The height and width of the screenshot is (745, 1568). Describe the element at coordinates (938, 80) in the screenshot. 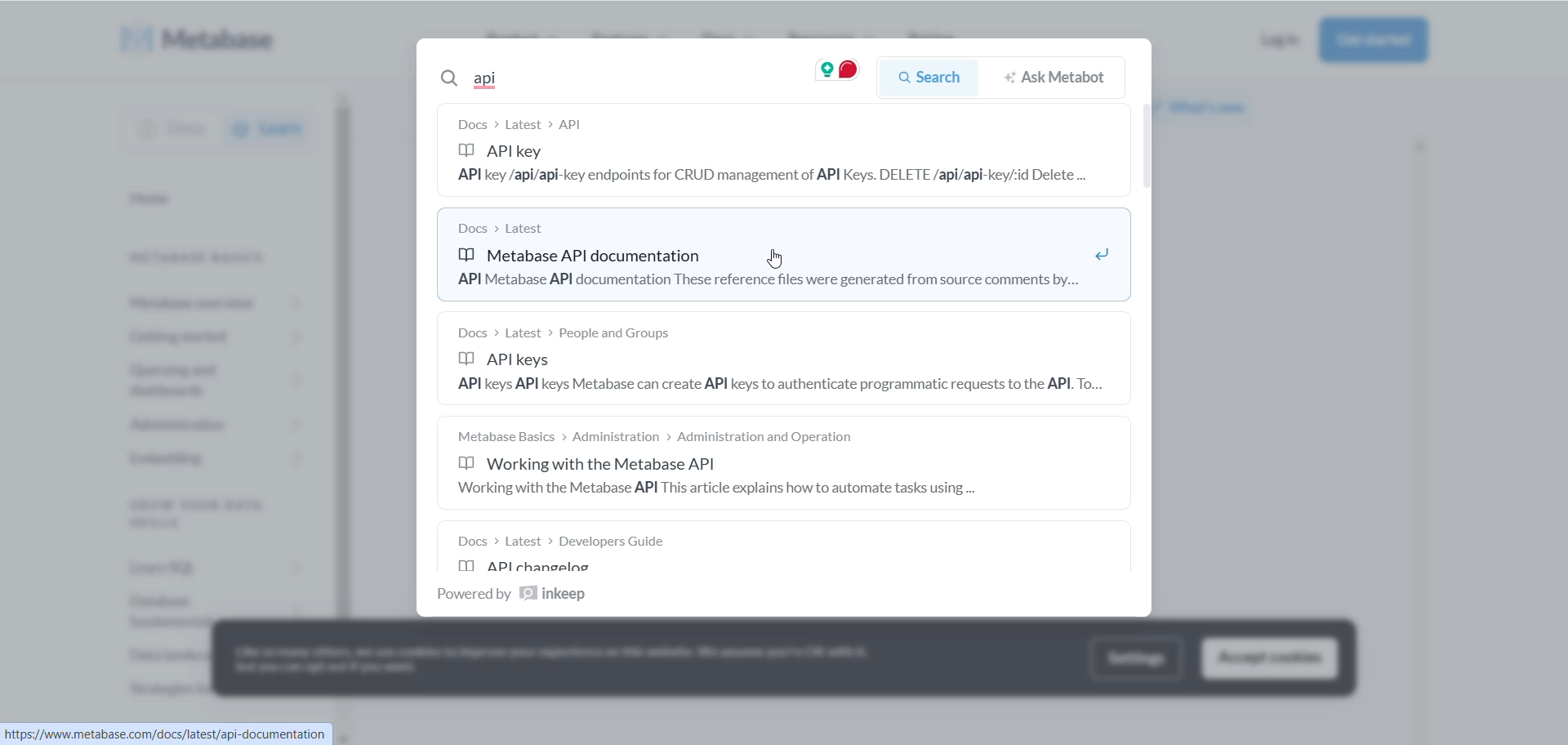

I see `search button` at that location.